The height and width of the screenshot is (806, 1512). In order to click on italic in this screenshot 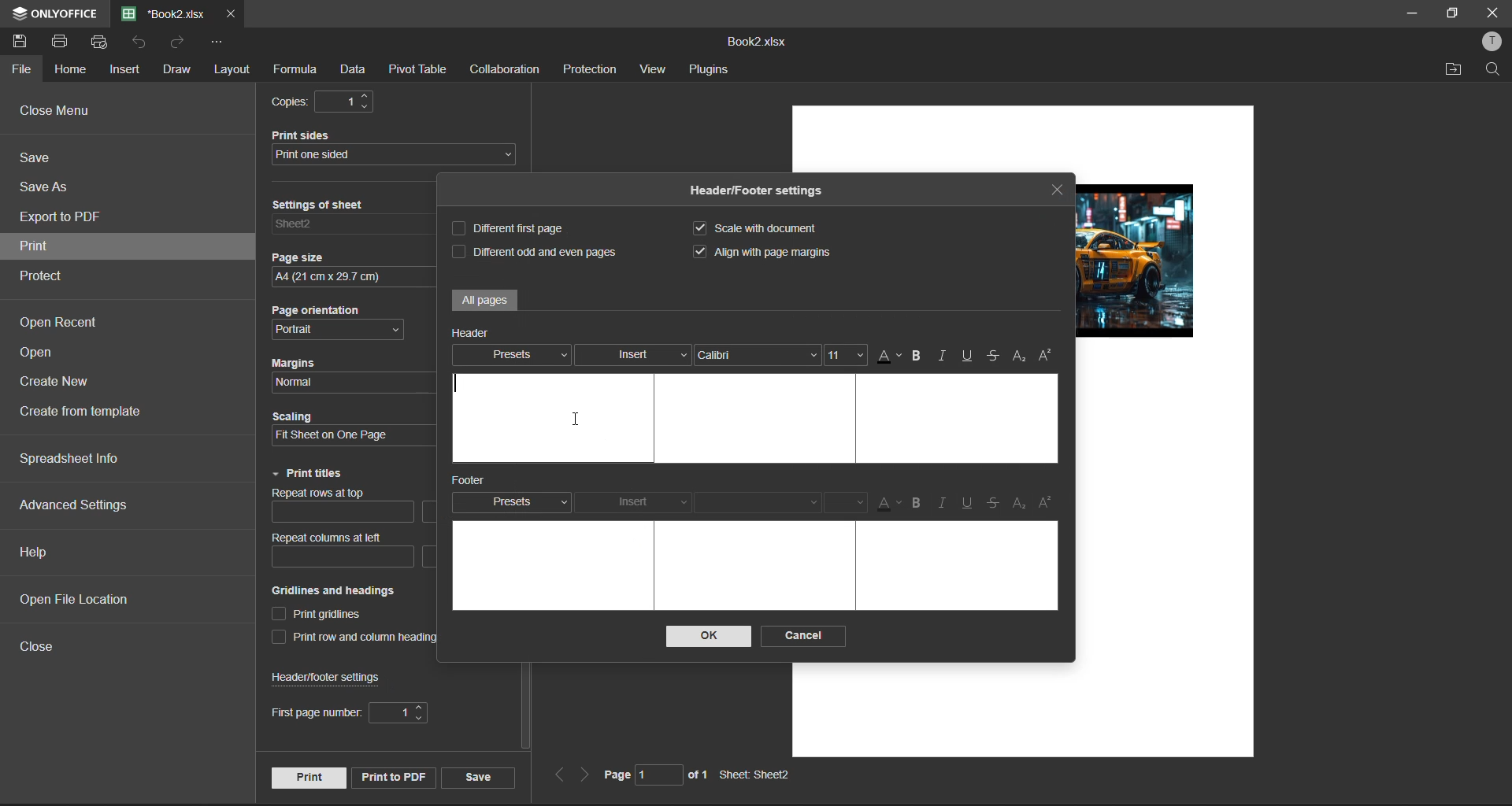, I will do `click(946, 502)`.